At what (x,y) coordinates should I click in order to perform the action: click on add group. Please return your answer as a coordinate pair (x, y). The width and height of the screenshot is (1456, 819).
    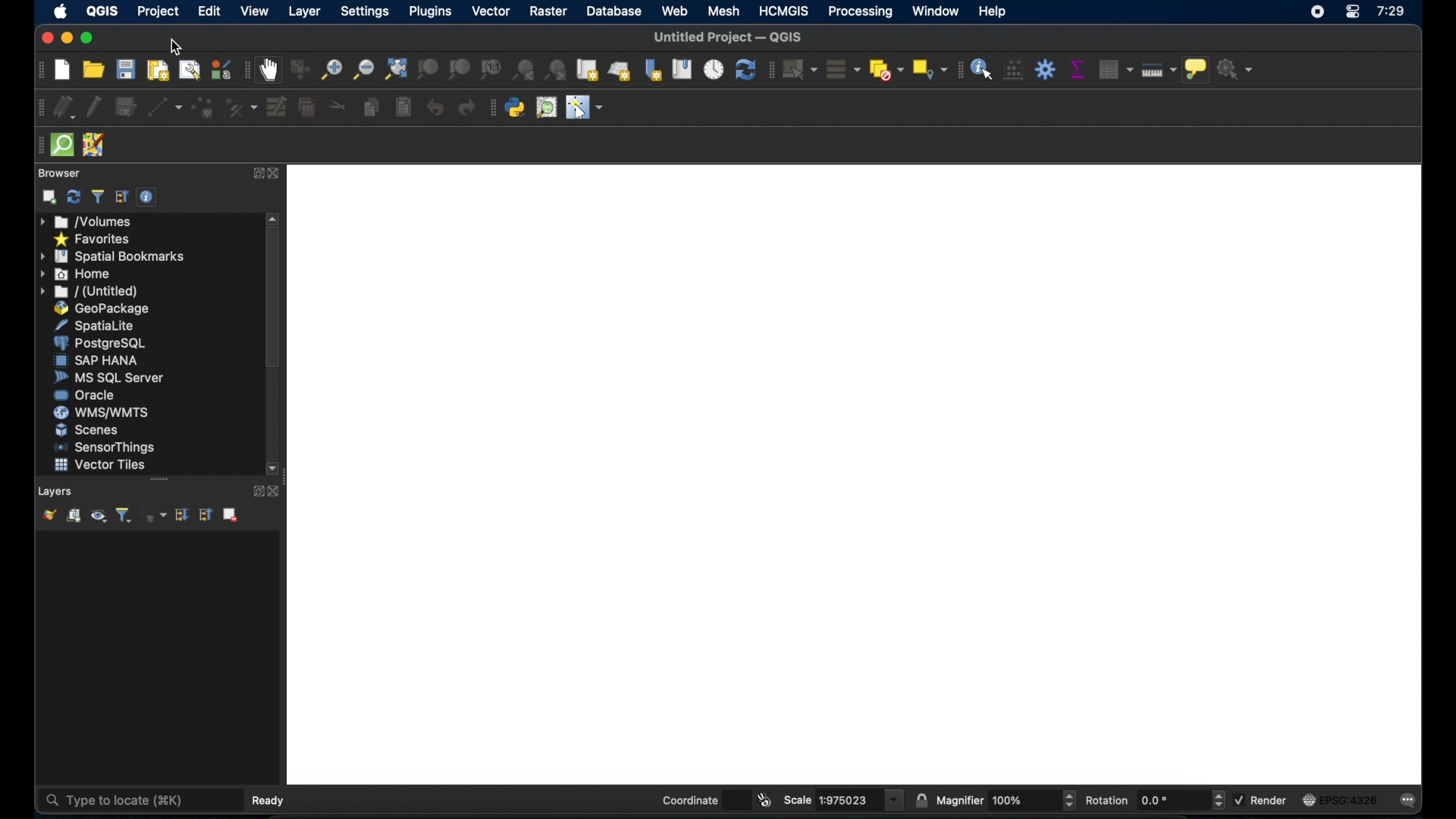
    Looking at the image, I should click on (74, 516).